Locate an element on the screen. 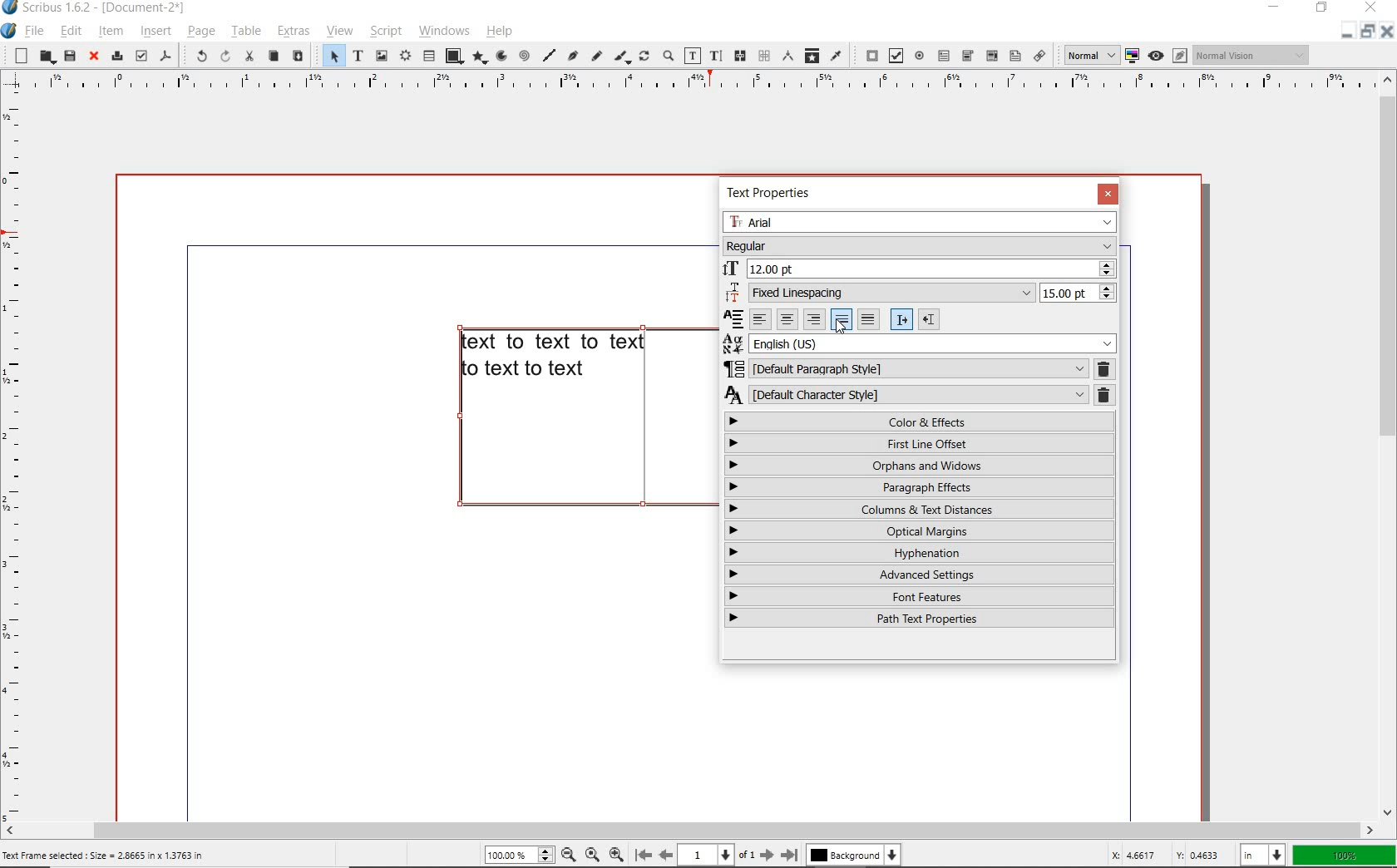 The height and width of the screenshot is (868, 1397). TEXT PROPERTIES is located at coordinates (772, 193).